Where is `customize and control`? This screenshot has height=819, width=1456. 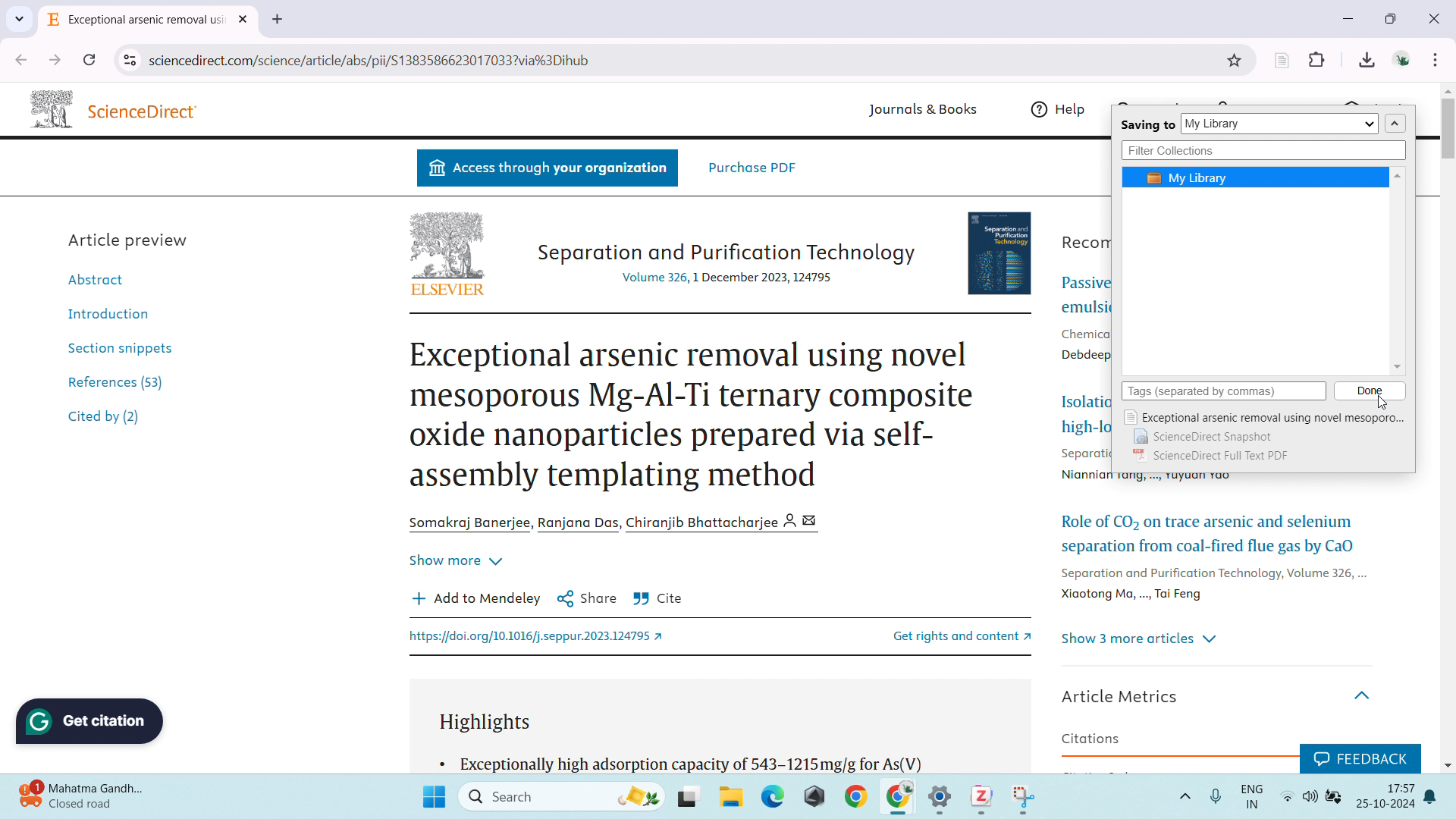 customize and control is located at coordinates (1437, 59).